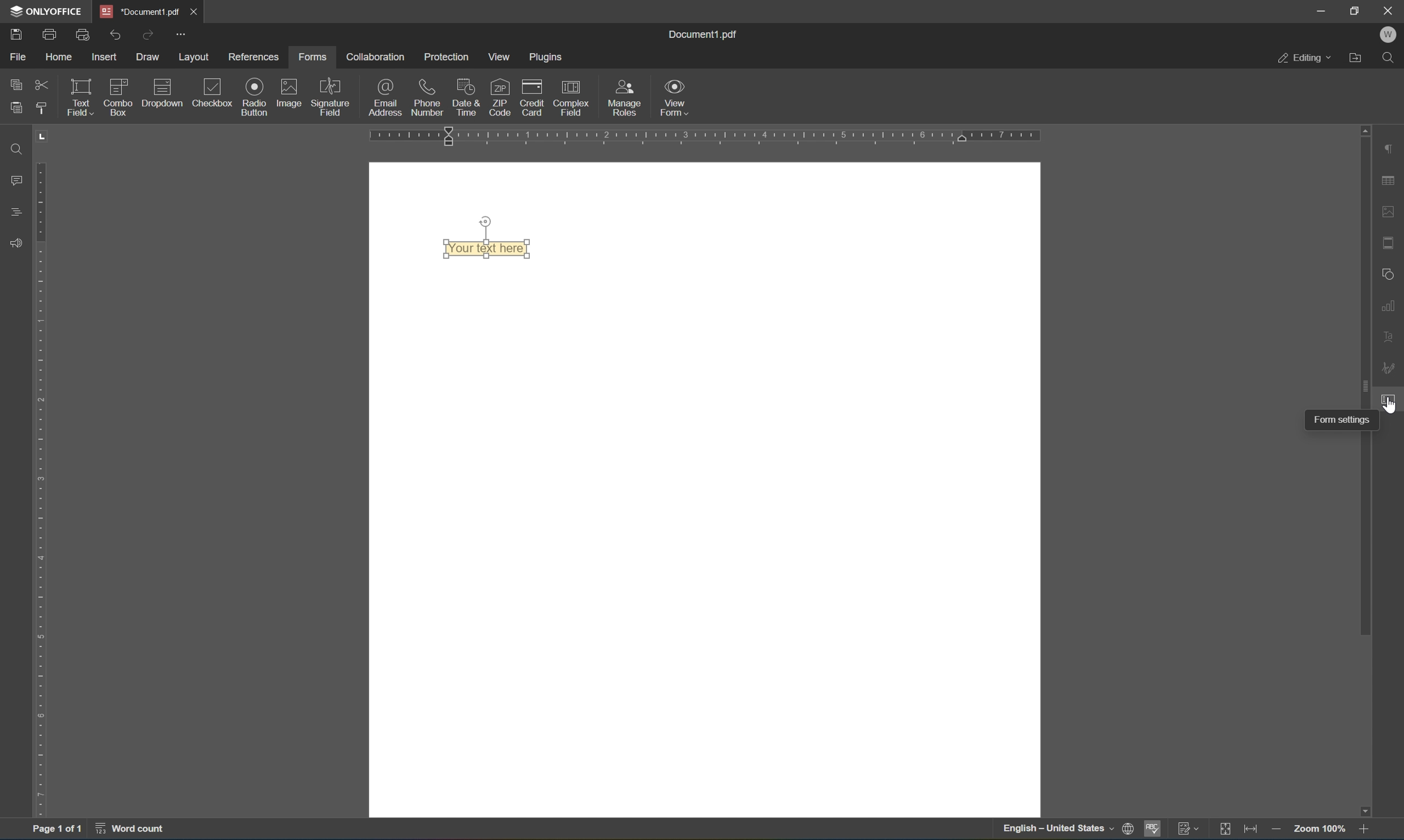 This screenshot has height=840, width=1404. I want to click on print, so click(49, 32).